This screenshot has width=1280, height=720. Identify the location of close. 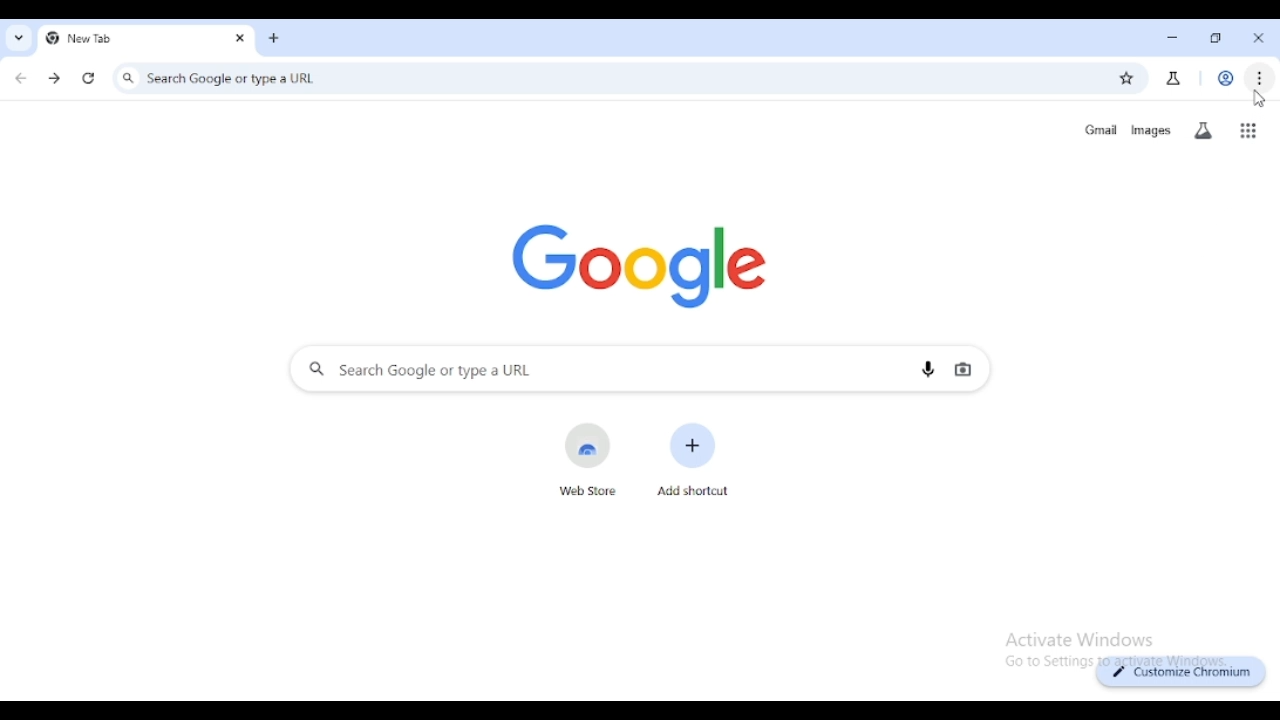
(1260, 38).